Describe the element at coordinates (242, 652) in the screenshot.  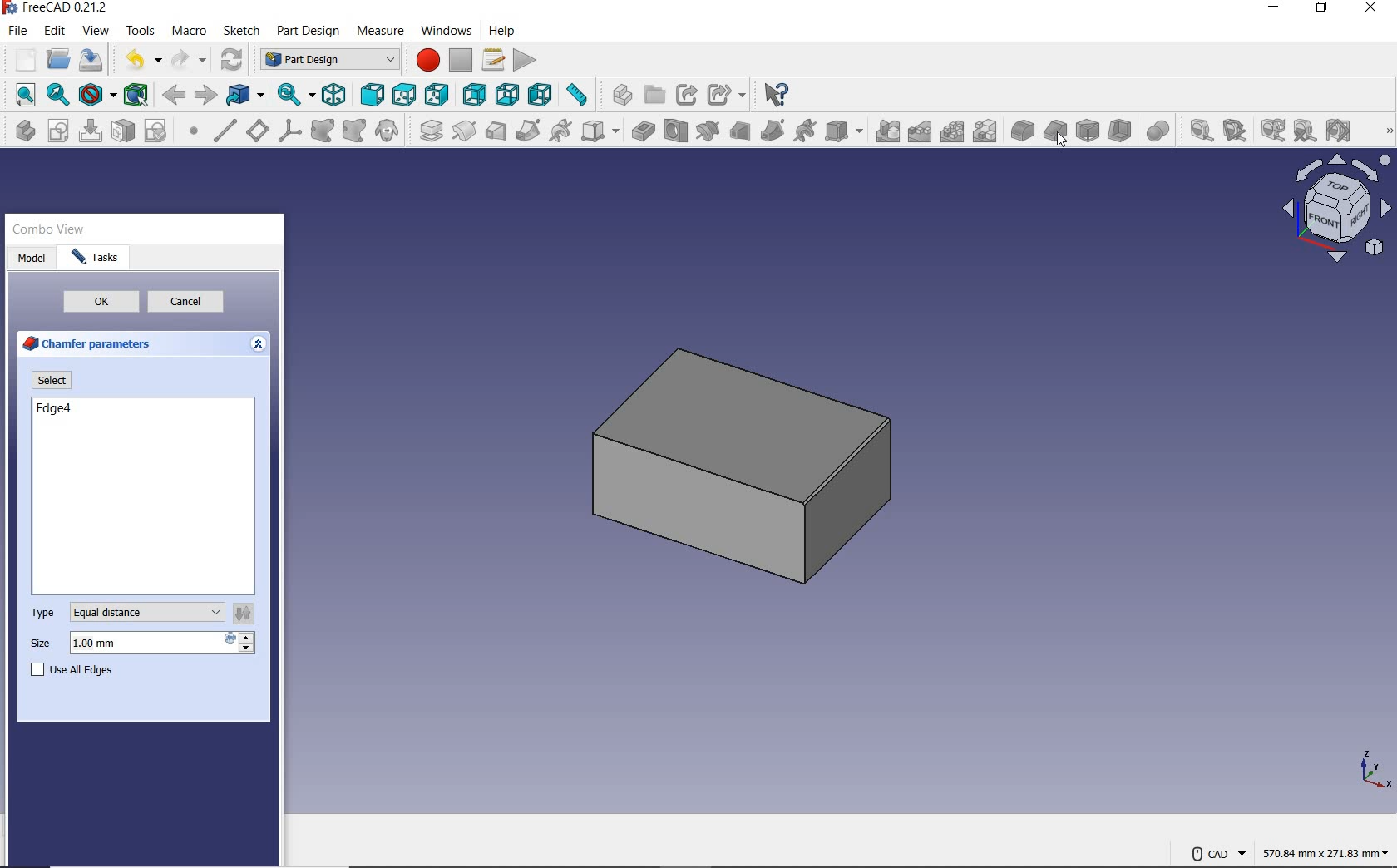
I see `Decrease` at that location.